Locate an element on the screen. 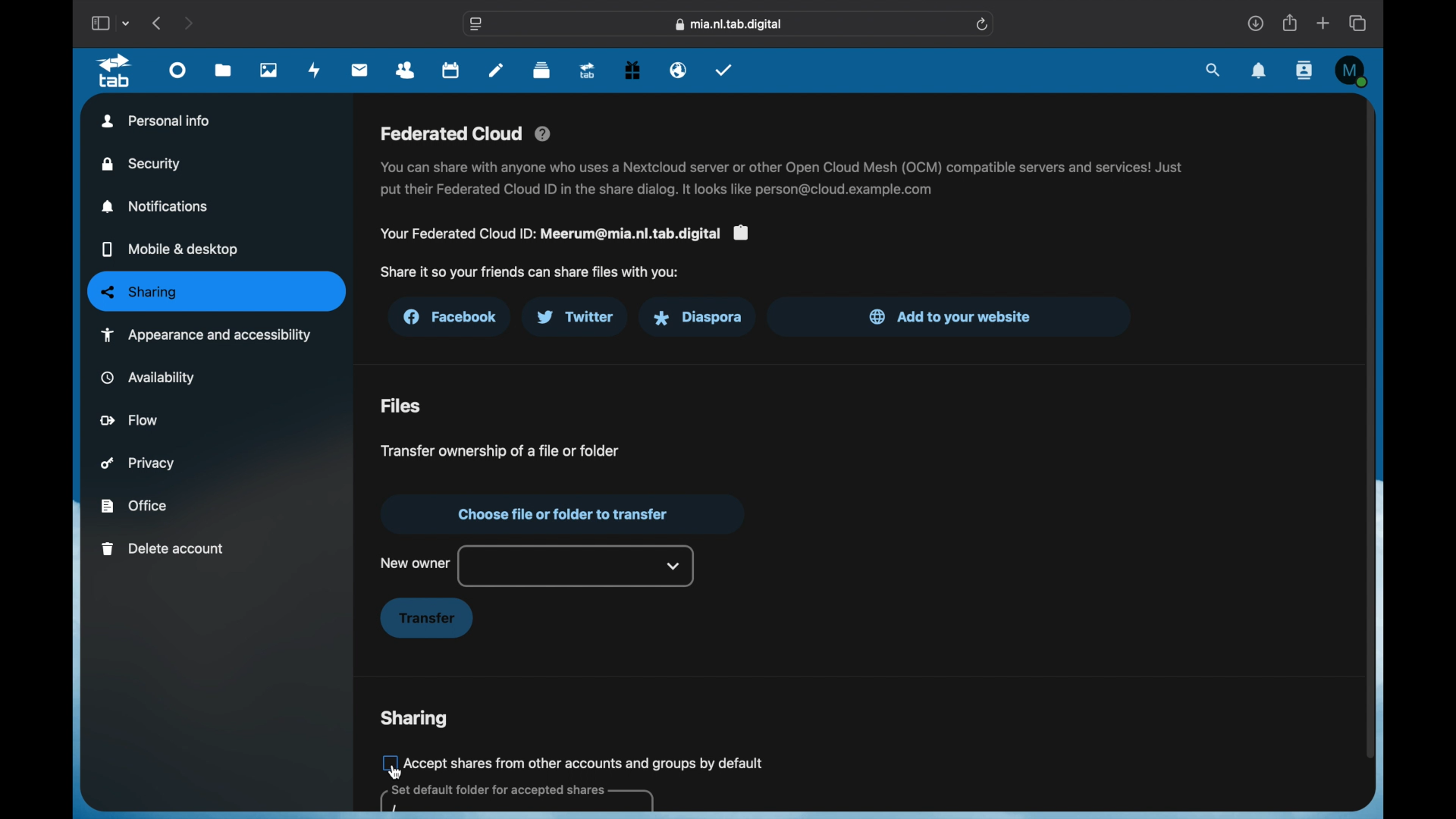  accept shares foremother accounts and groups by default is located at coordinates (586, 762).